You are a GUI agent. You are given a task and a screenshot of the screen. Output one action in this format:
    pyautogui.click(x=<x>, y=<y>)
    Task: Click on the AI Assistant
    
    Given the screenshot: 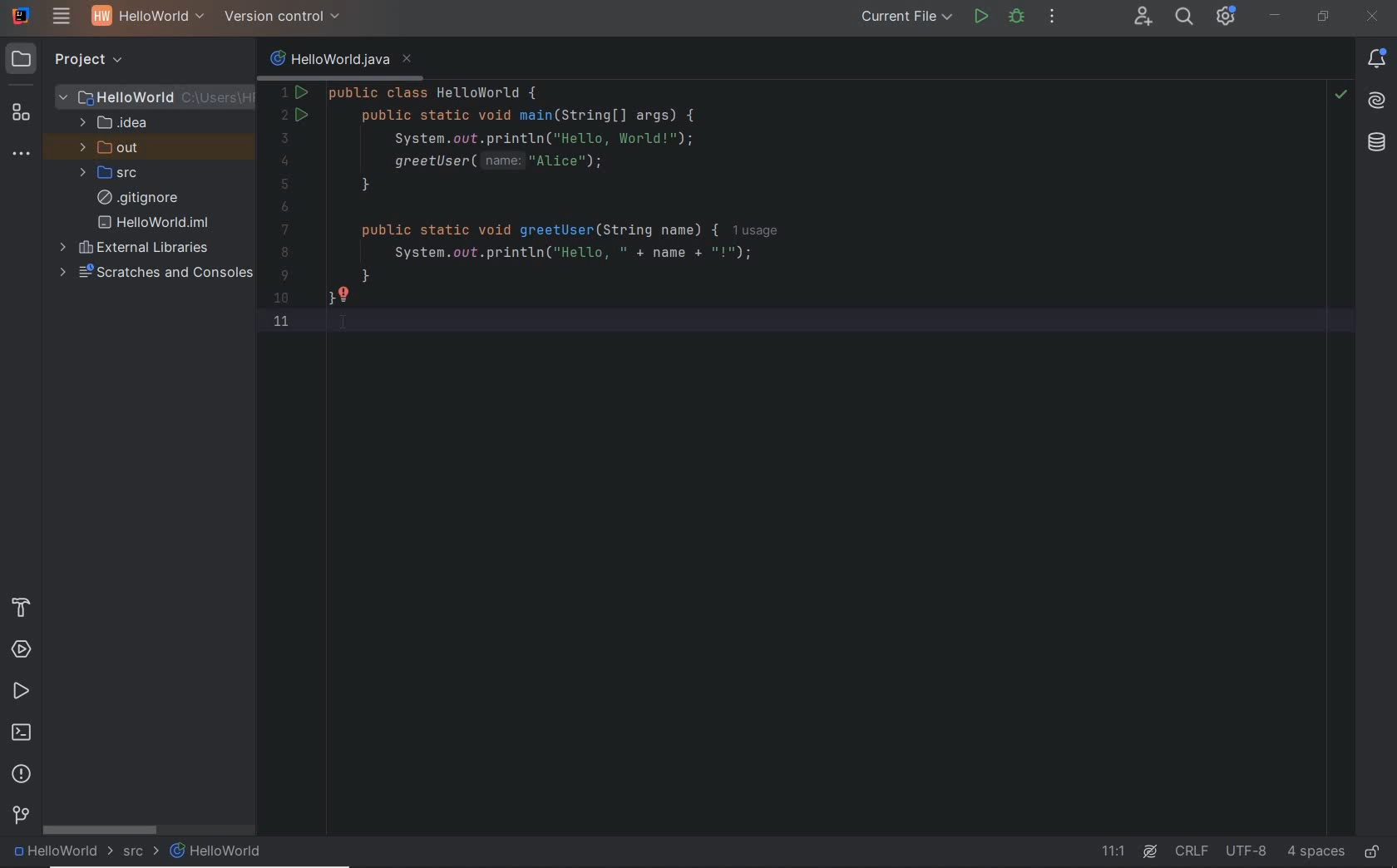 What is the action you would take?
    pyautogui.click(x=1149, y=852)
    